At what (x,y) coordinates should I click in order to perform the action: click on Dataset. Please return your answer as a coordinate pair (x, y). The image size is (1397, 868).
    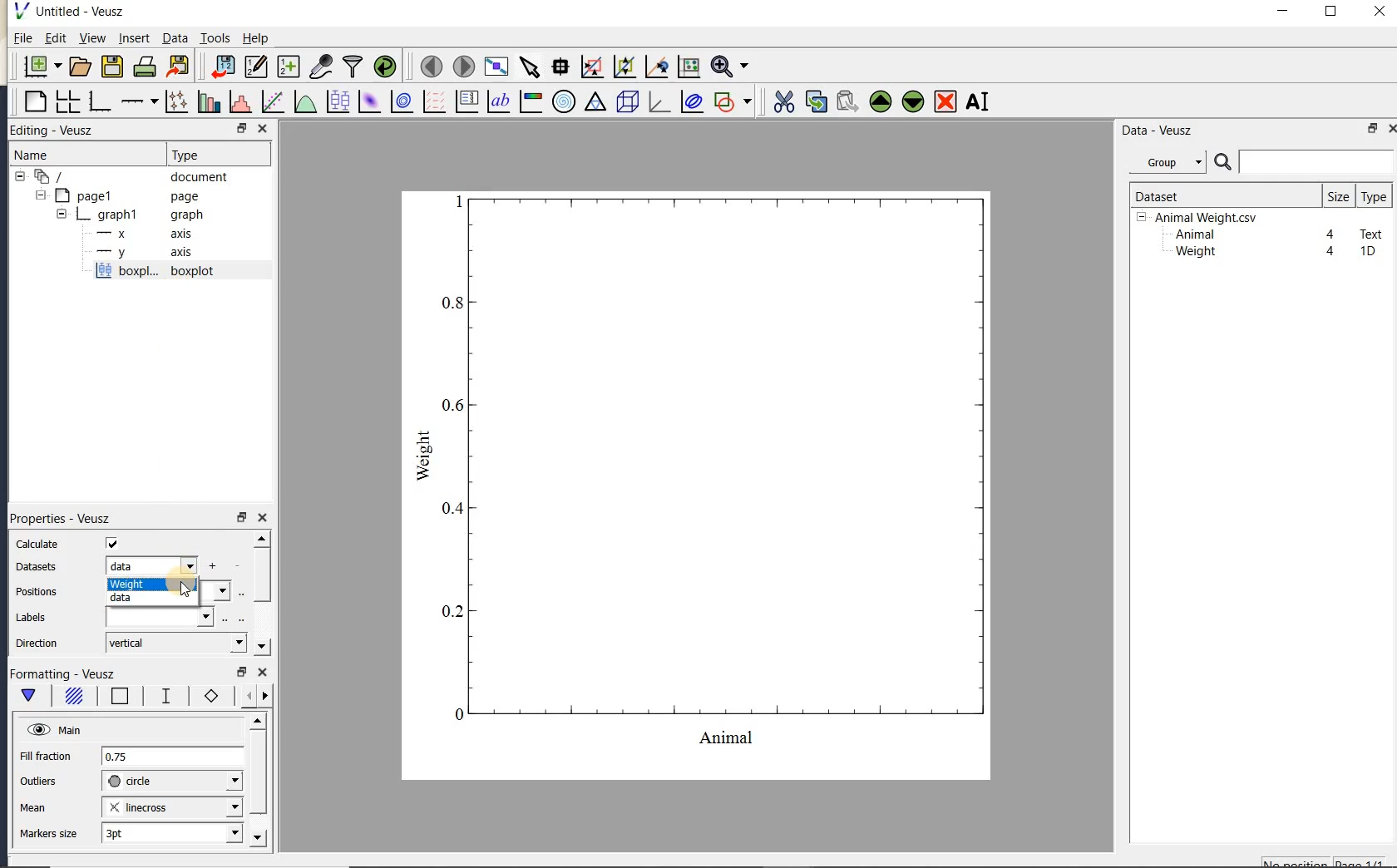
    Looking at the image, I should click on (1218, 195).